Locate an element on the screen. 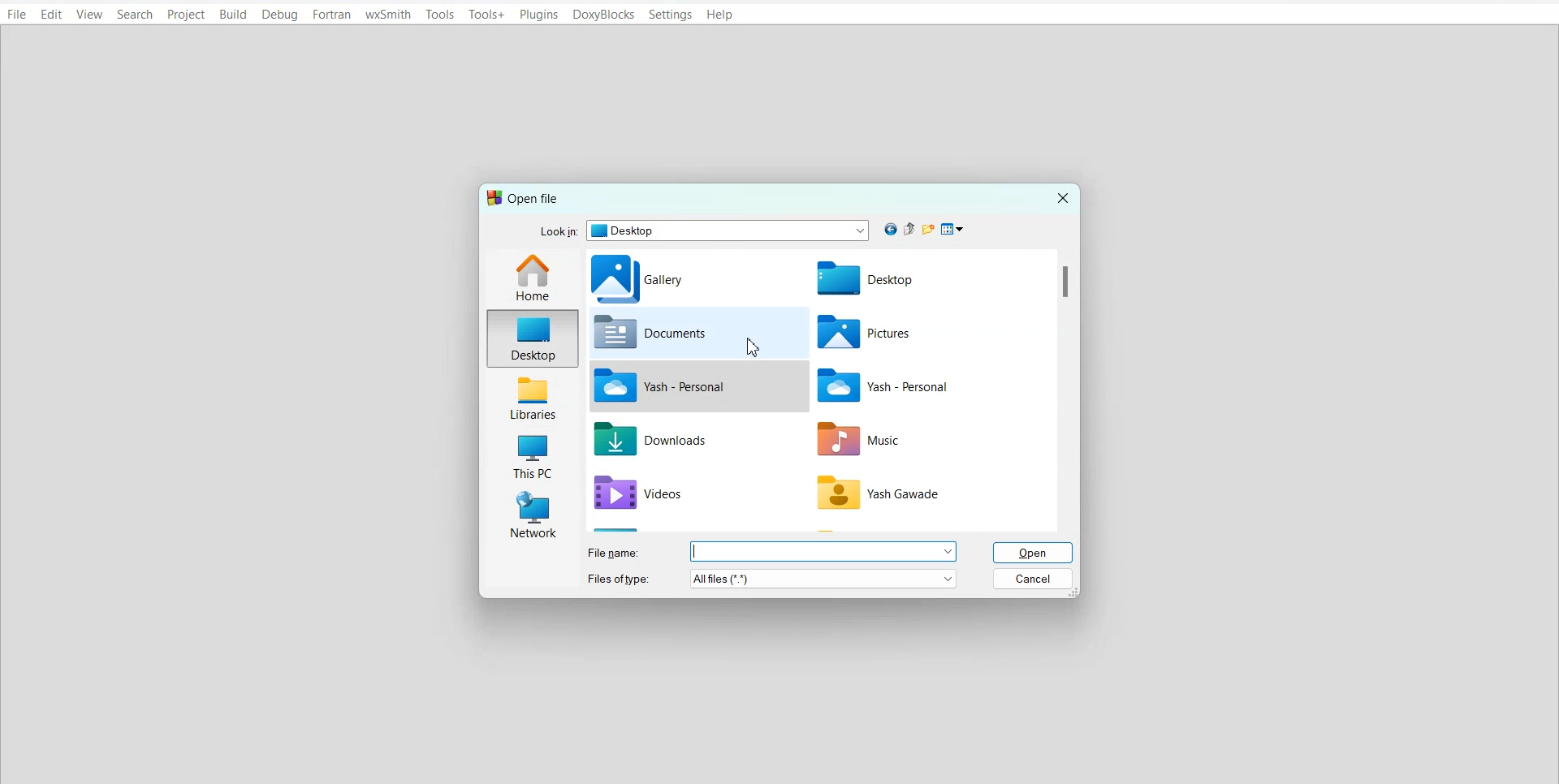  Look in is located at coordinates (704, 230).